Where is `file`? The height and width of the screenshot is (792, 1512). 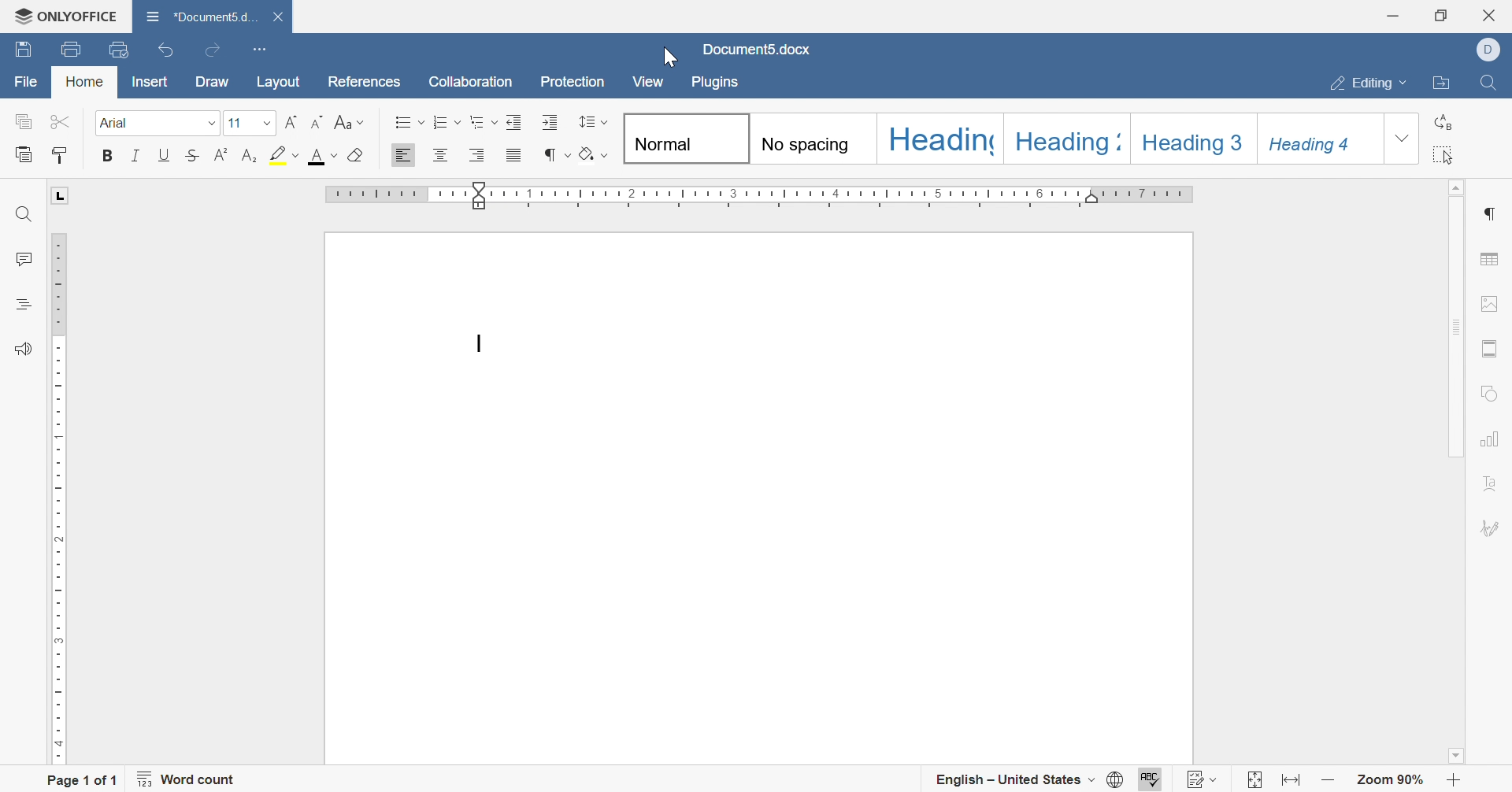 file is located at coordinates (28, 83).